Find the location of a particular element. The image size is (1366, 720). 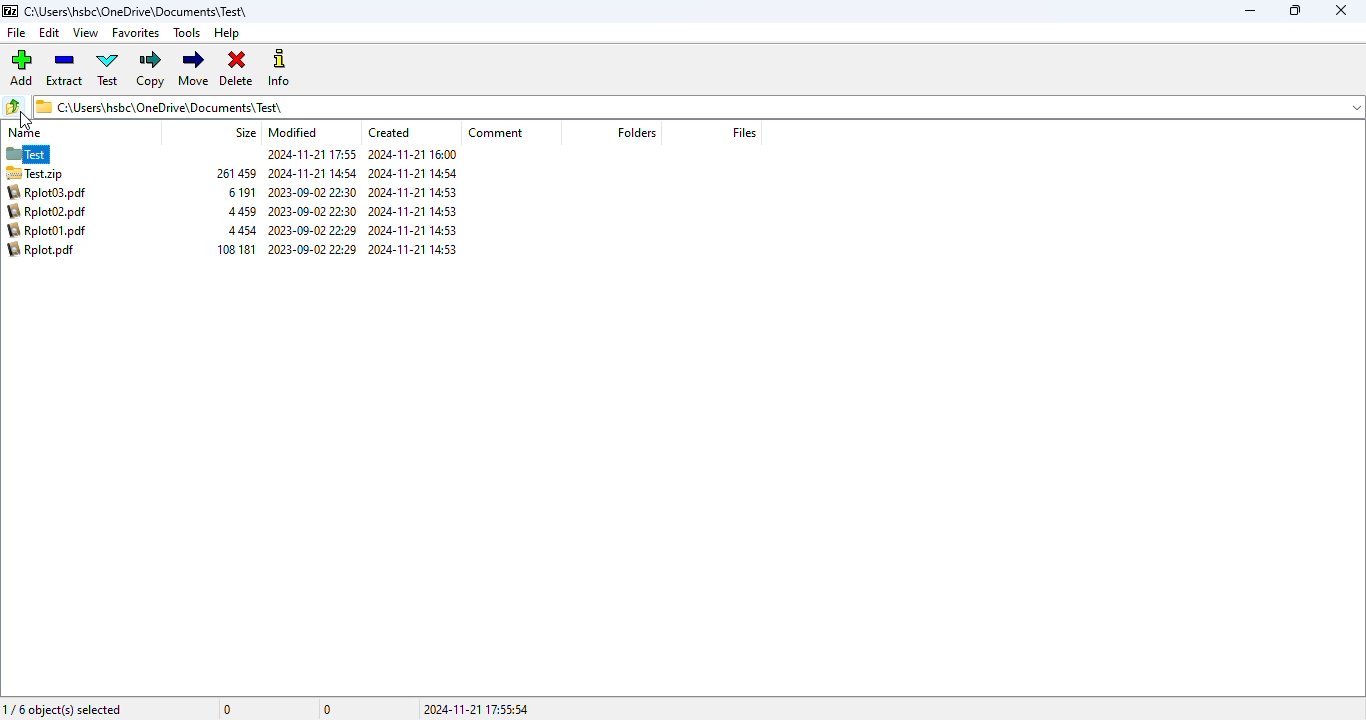

Rplot02.pdf is located at coordinates (46, 211).